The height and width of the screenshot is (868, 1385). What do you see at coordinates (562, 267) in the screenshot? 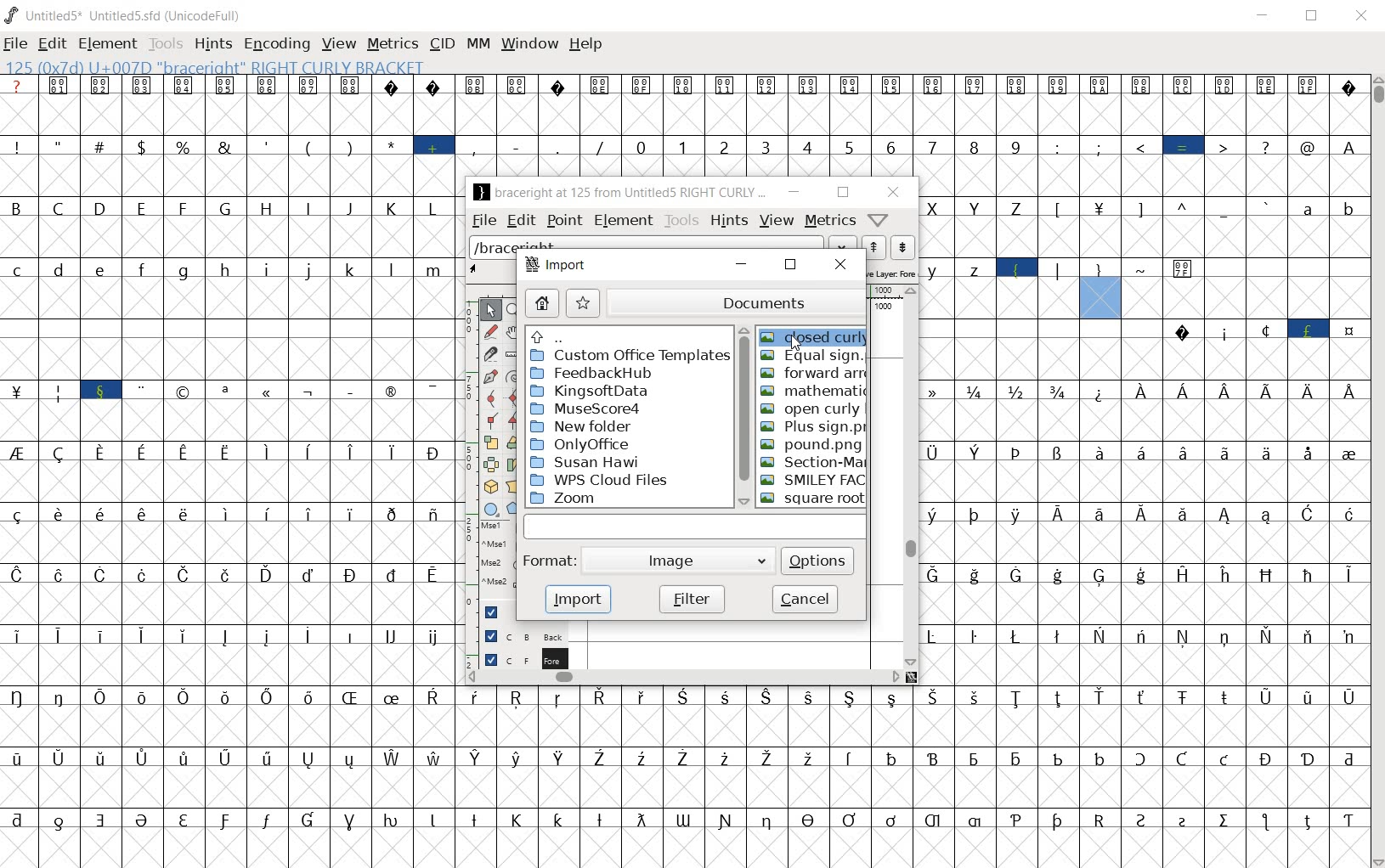
I see `import` at bounding box center [562, 267].